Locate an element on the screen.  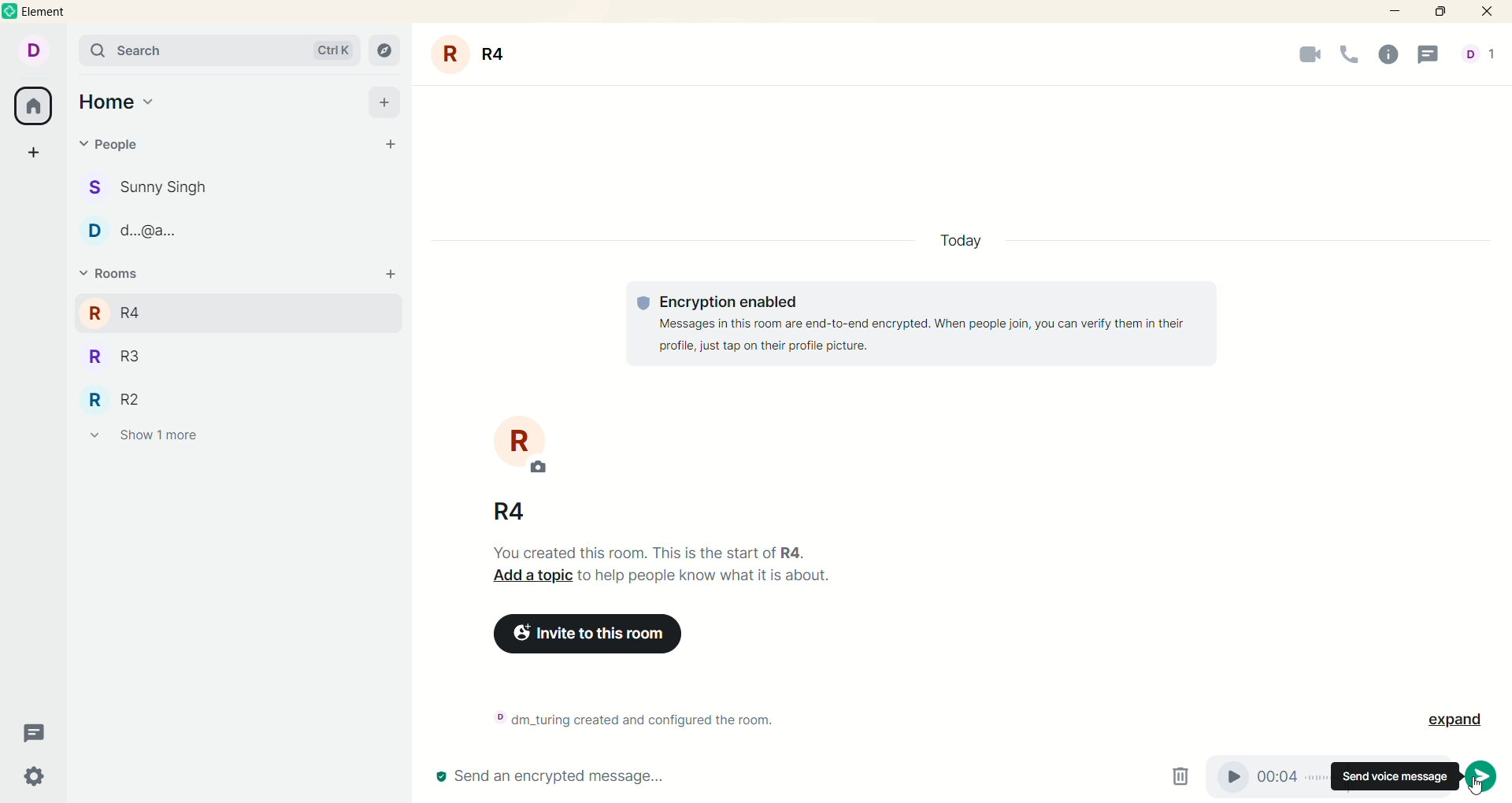
text is located at coordinates (923, 324).